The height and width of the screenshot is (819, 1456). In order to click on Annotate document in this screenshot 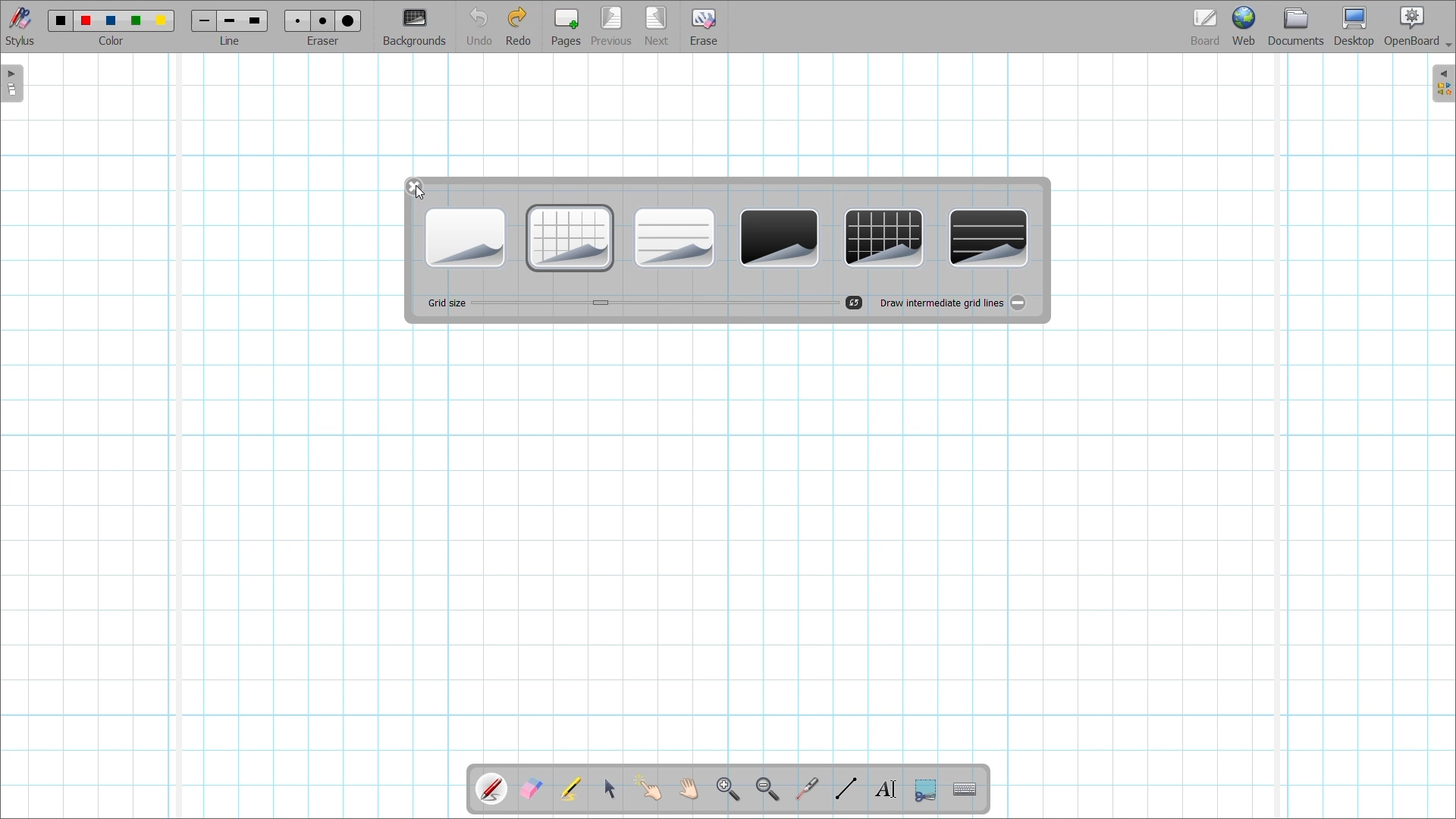, I will do `click(492, 789)`.